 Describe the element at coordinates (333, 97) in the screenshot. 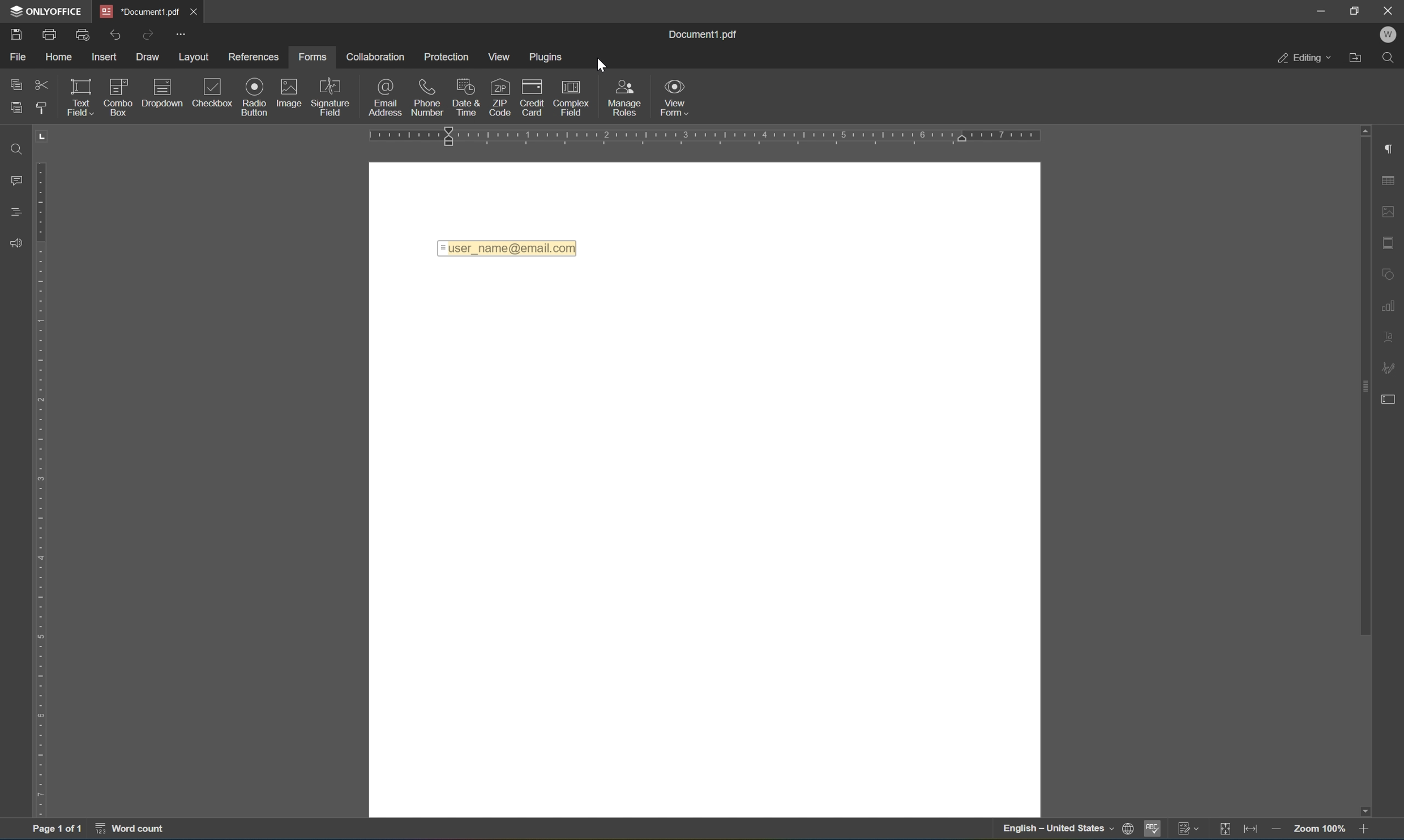

I see `signature field` at that location.